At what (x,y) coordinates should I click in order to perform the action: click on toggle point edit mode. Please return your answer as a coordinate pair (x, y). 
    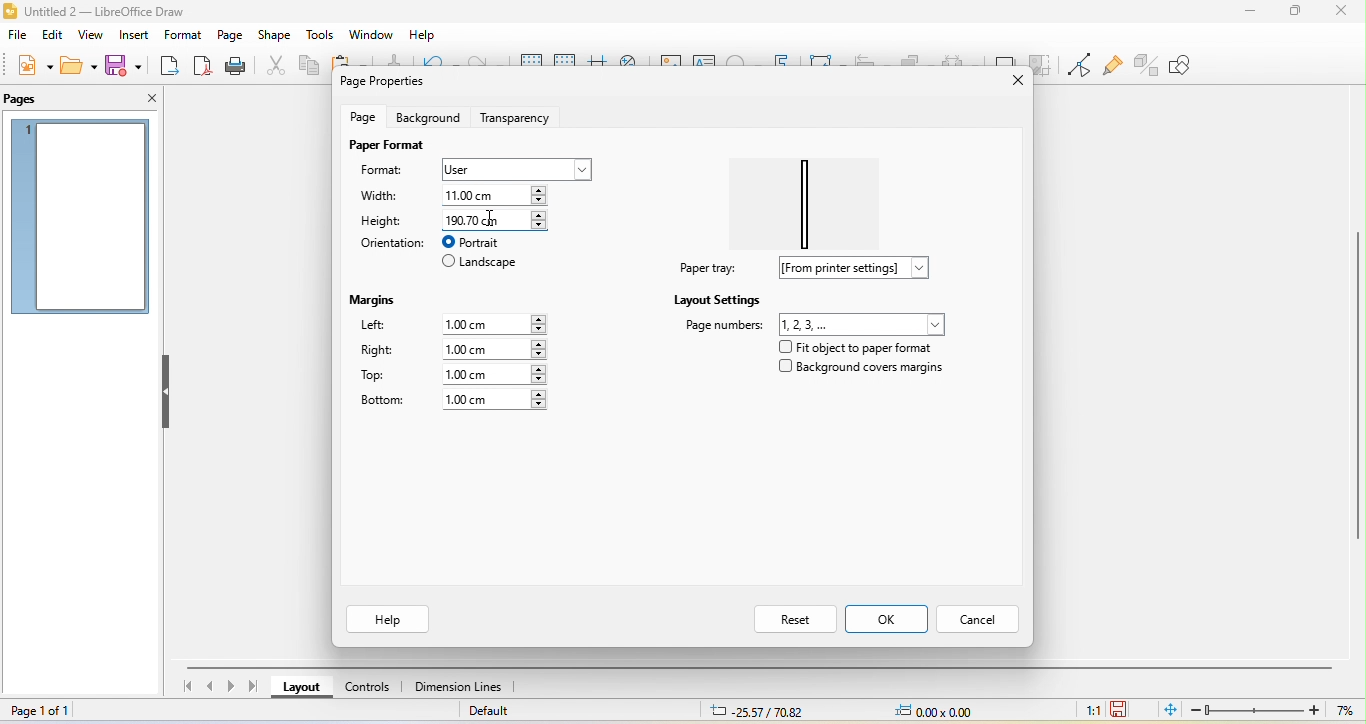
    Looking at the image, I should click on (1078, 65).